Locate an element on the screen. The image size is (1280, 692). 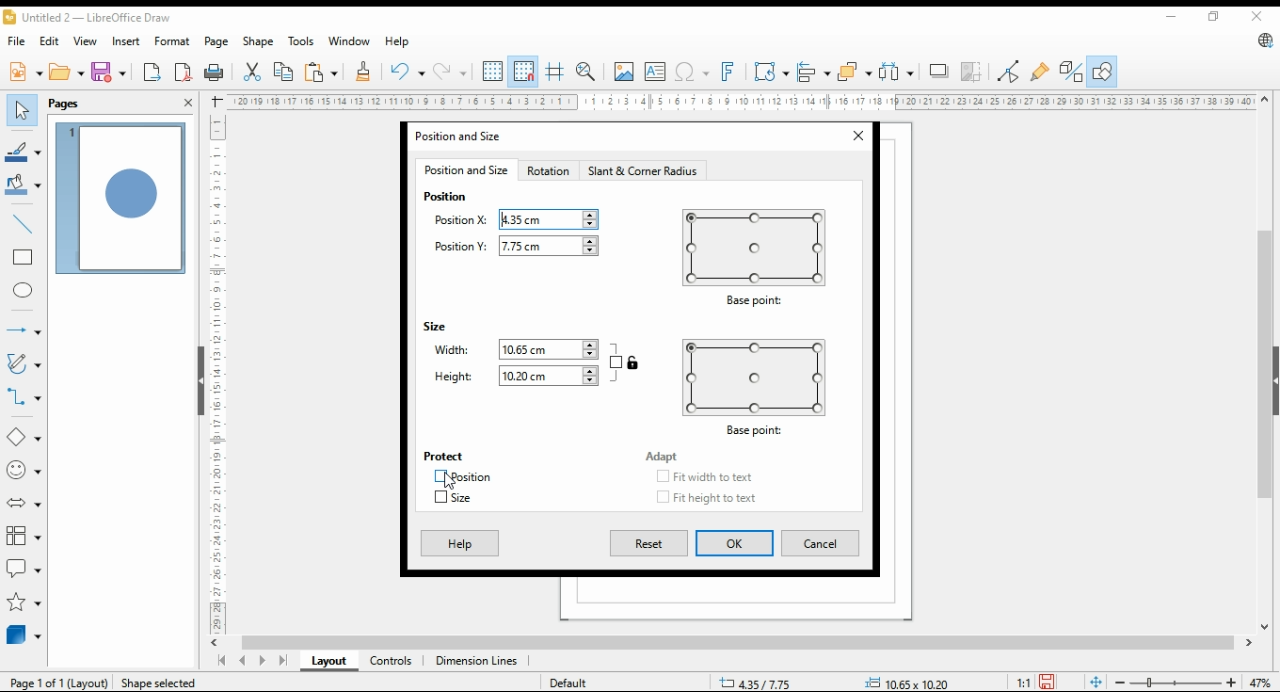
insert line is located at coordinates (24, 225).